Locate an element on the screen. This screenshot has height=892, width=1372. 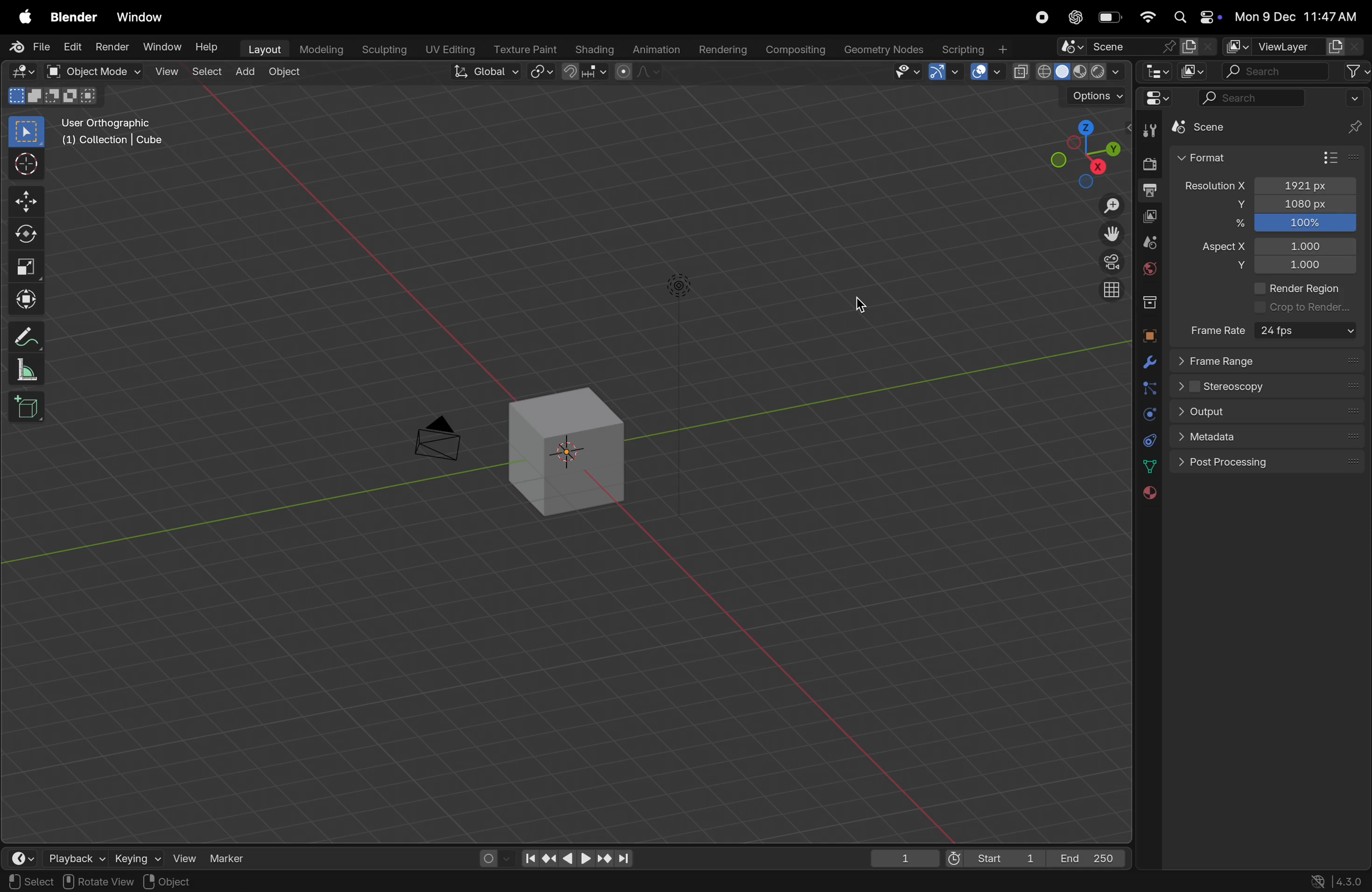
keying is located at coordinates (137, 857).